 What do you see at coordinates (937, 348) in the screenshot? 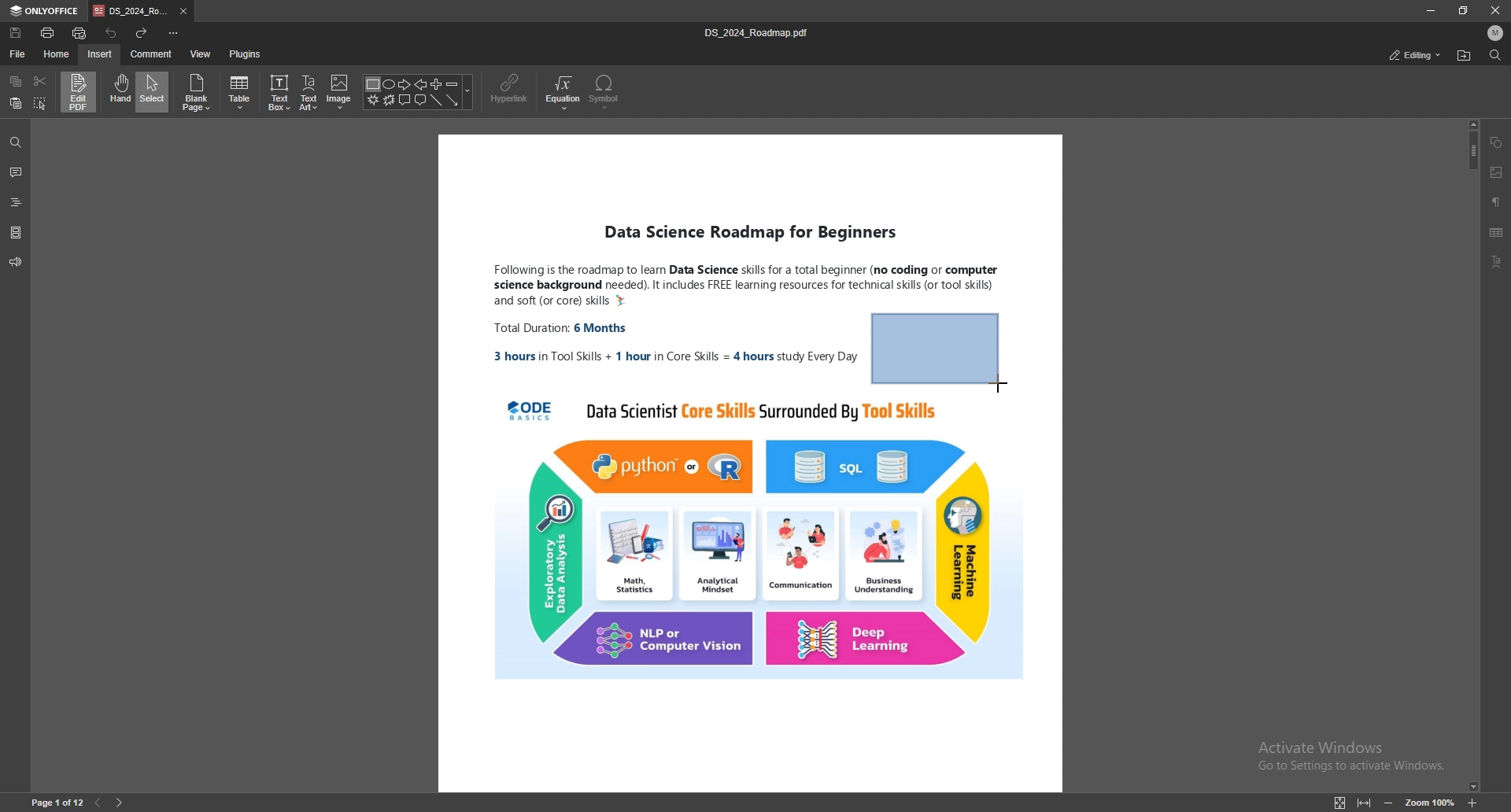
I see `rectangle` at bounding box center [937, 348].